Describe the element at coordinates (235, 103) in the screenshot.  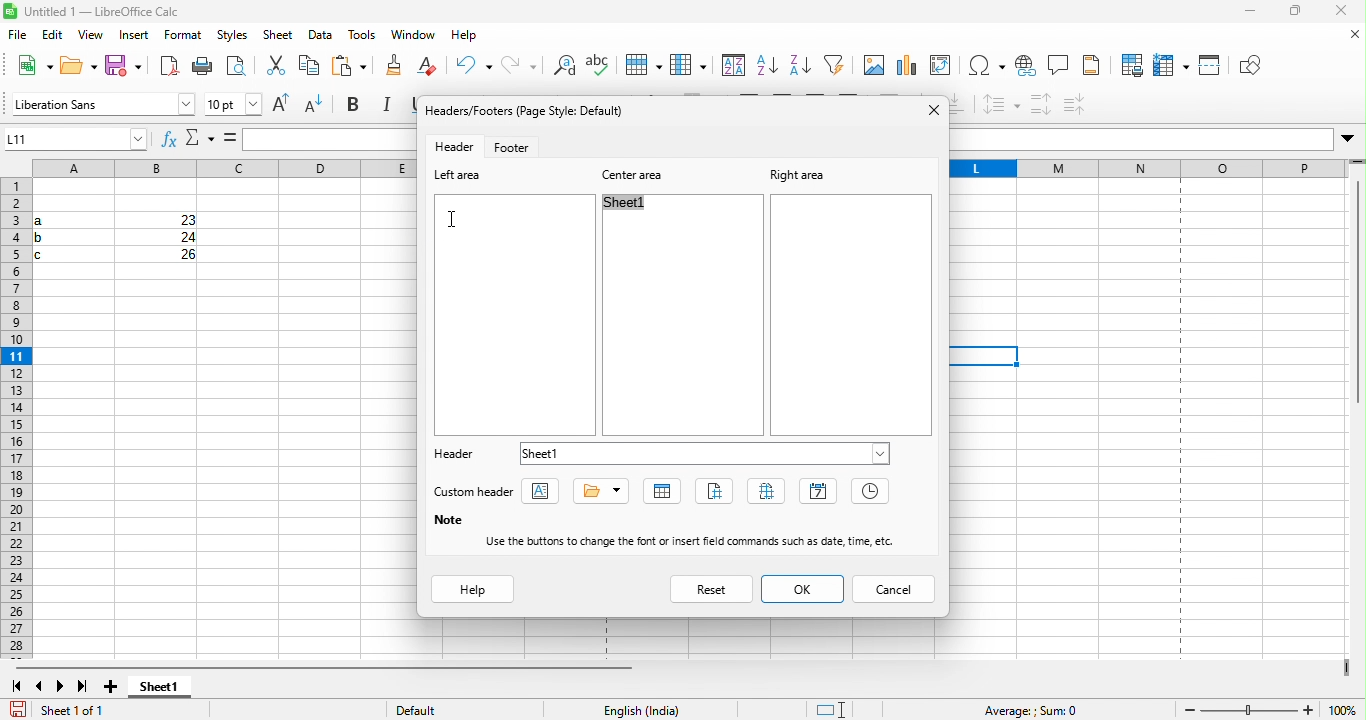
I see `font size` at that location.